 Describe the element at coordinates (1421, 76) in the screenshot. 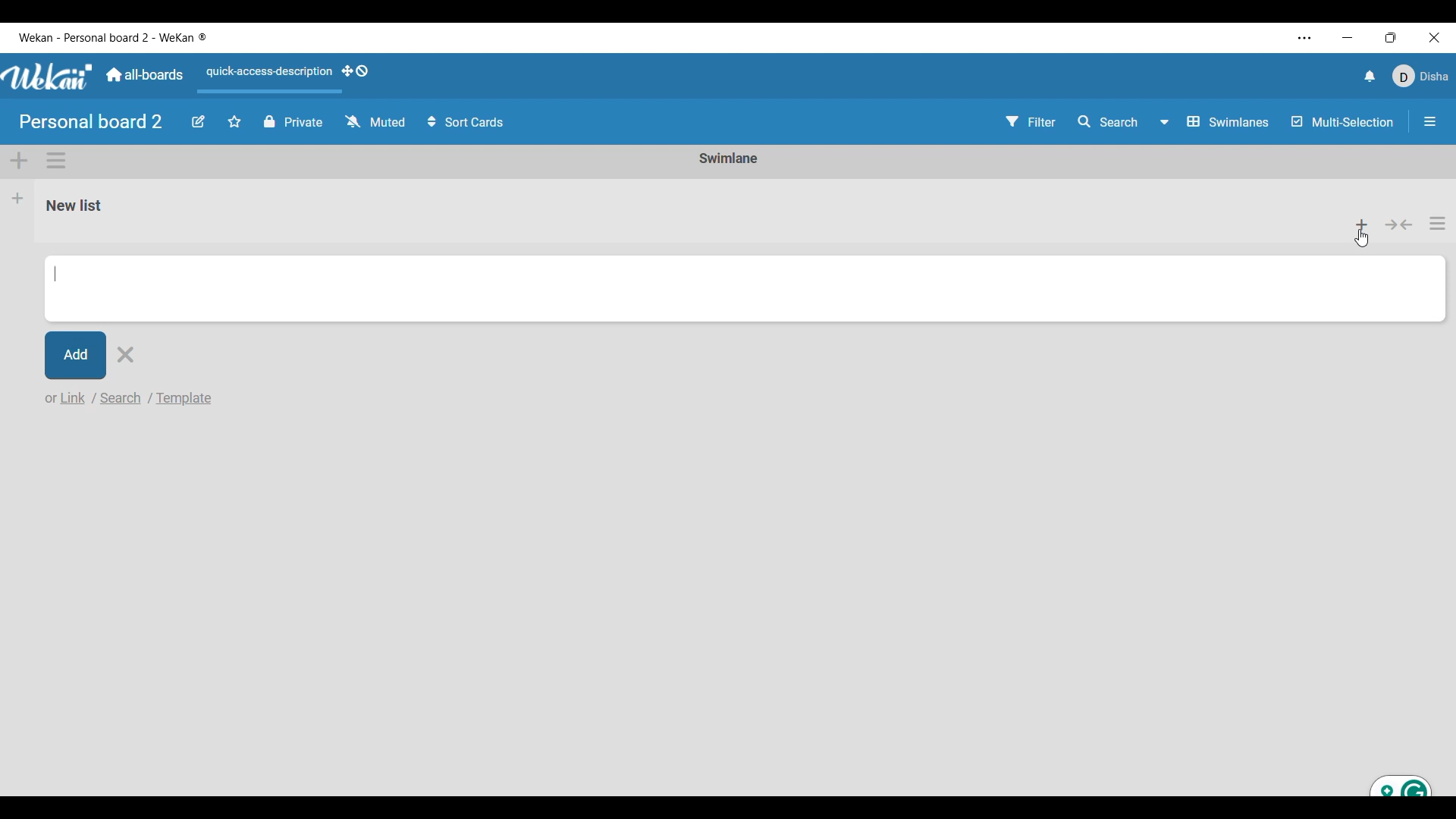

I see `Current account` at that location.